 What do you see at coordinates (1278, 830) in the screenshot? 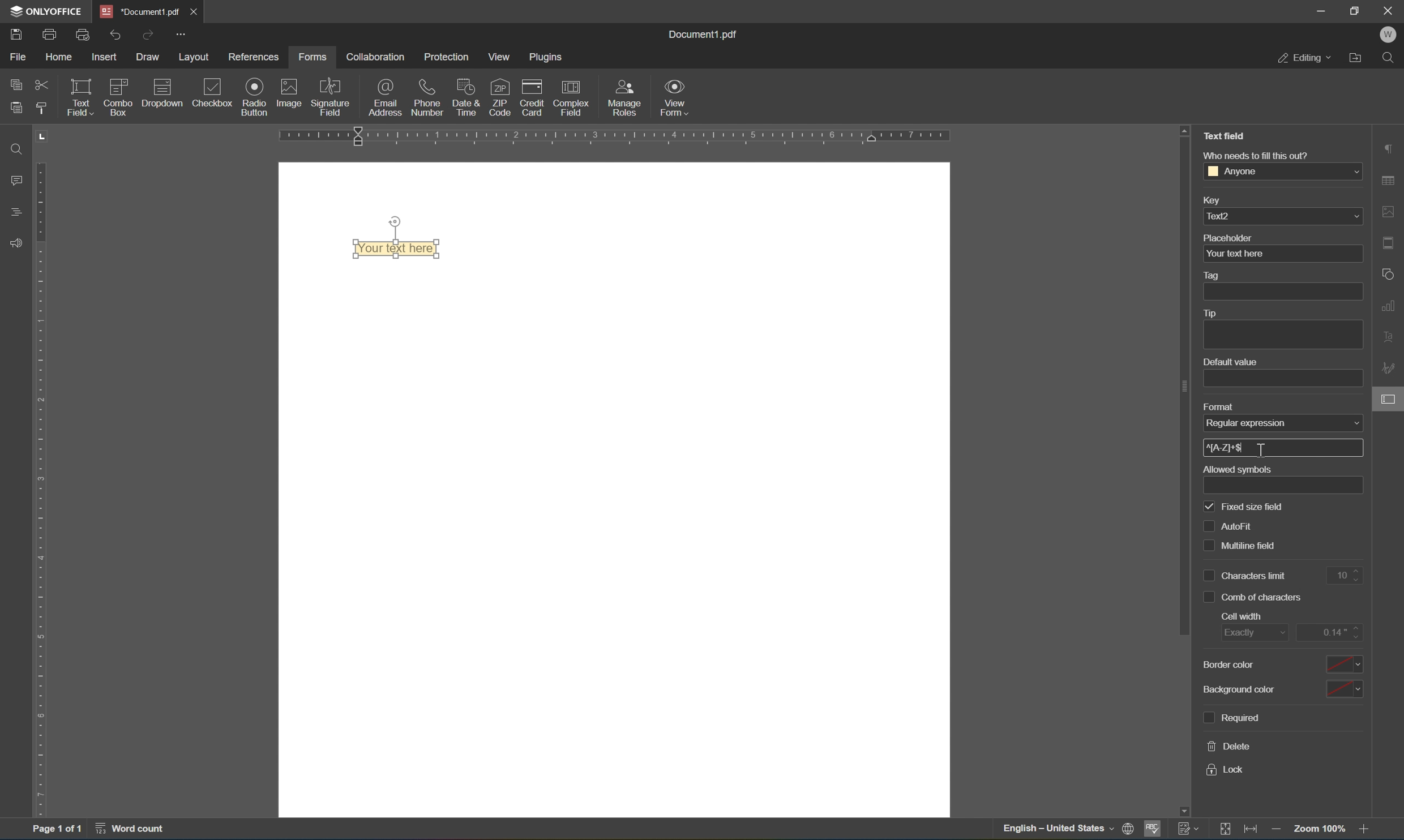
I see `zoom out` at bounding box center [1278, 830].